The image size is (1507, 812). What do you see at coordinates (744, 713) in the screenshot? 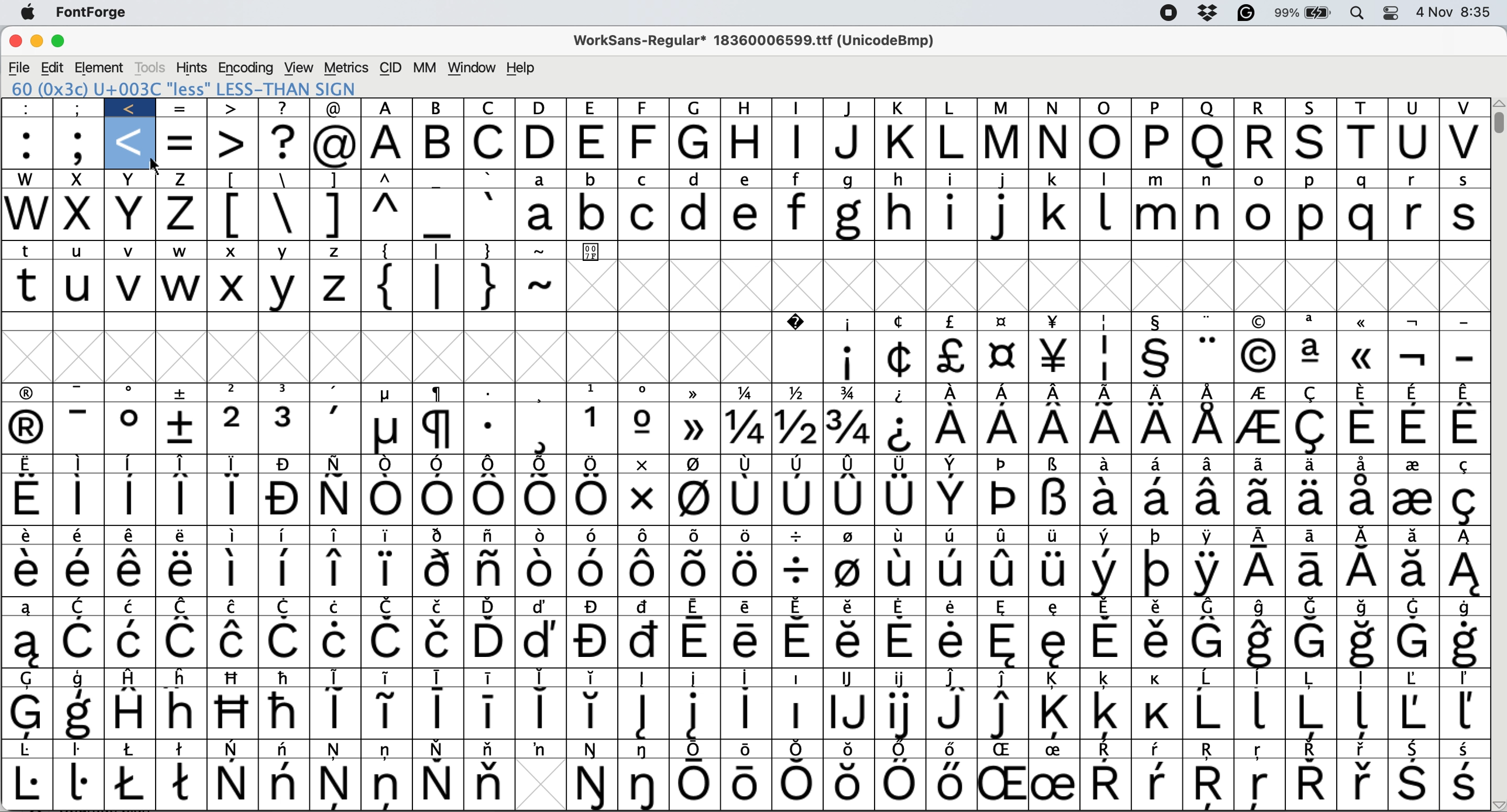
I see `Symbol` at bounding box center [744, 713].